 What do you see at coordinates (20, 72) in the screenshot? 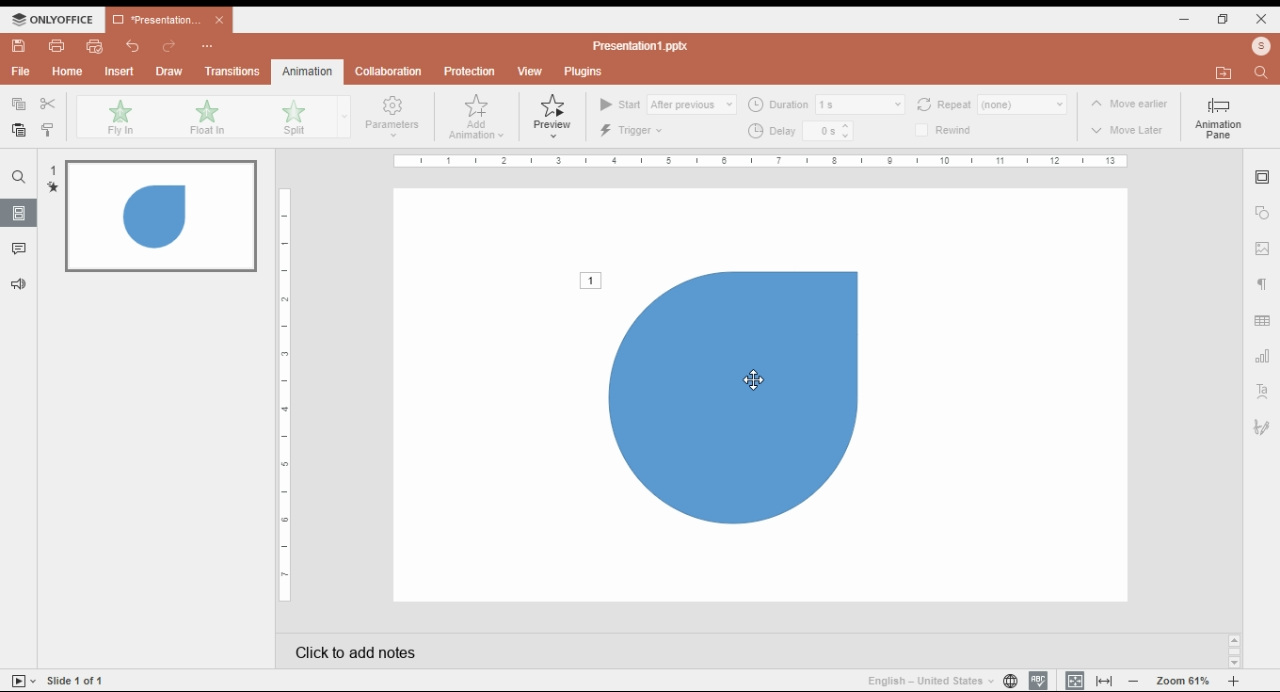
I see `file` at bounding box center [20, 72].